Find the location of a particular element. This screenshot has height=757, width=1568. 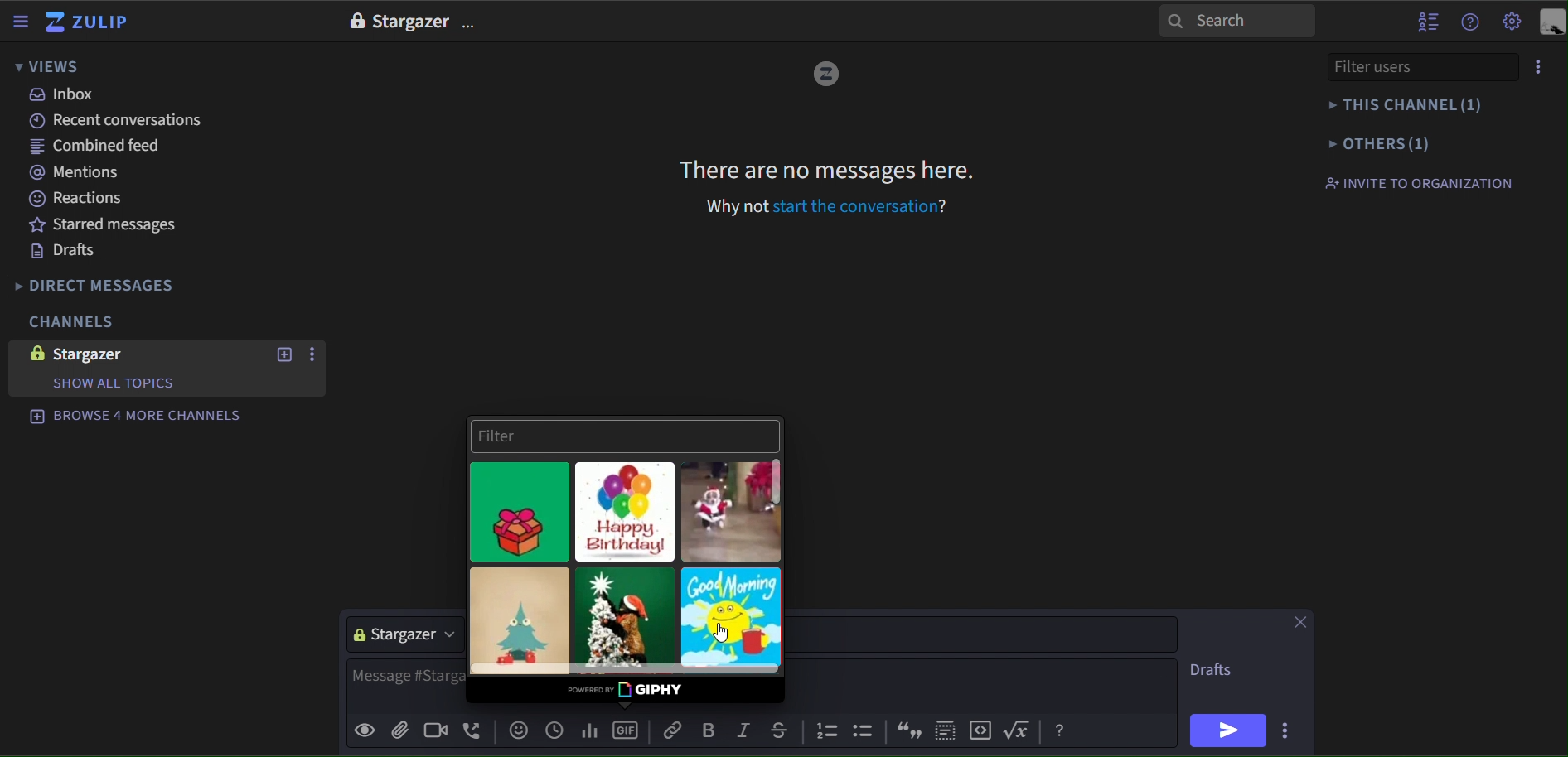

send is located at coordinates (1228, 730).